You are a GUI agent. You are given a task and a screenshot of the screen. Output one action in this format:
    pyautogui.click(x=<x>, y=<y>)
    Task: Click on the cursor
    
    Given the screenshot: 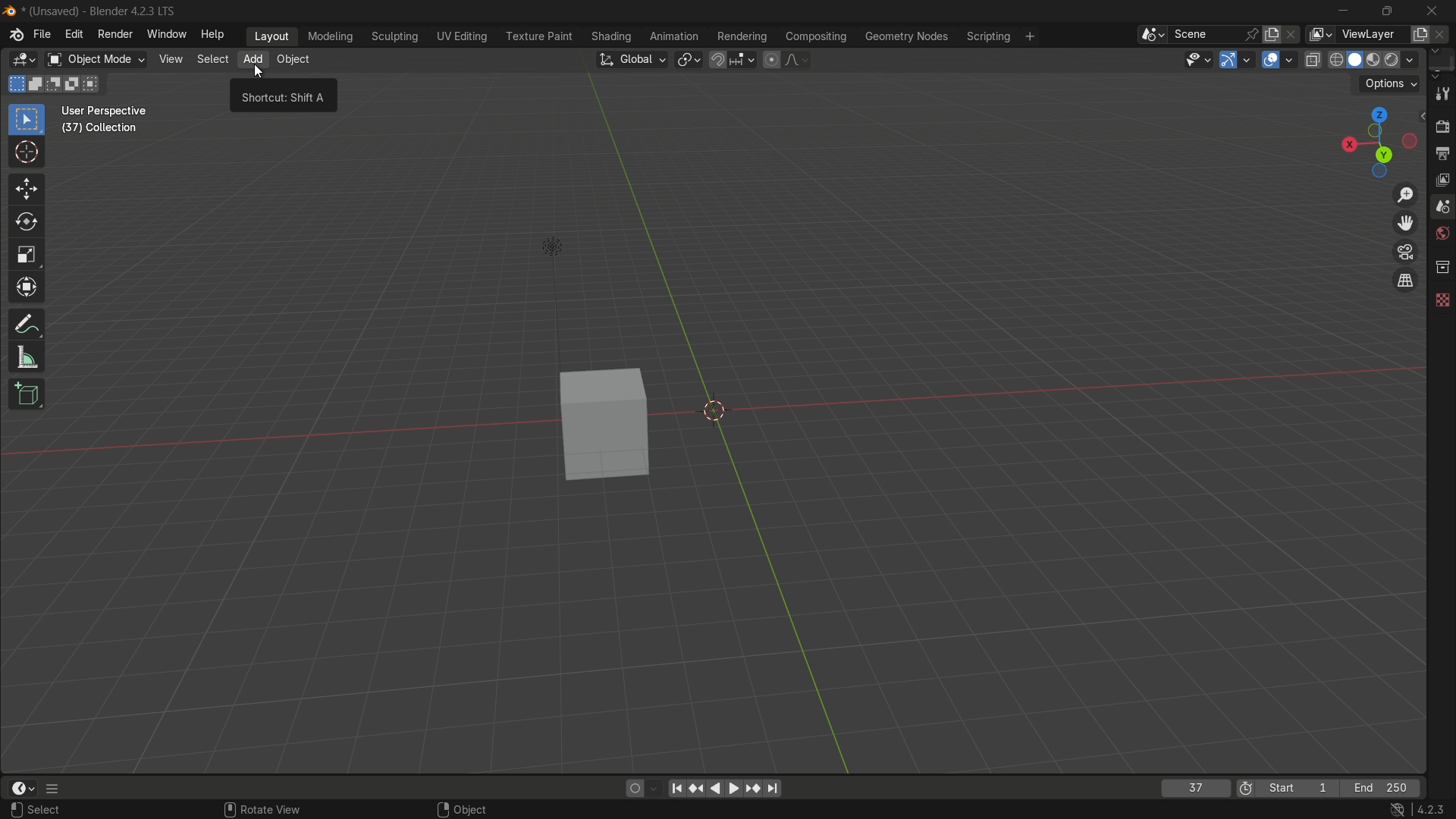 What is the action you would take?
    pyautogui.click(x=25, y=154)
    